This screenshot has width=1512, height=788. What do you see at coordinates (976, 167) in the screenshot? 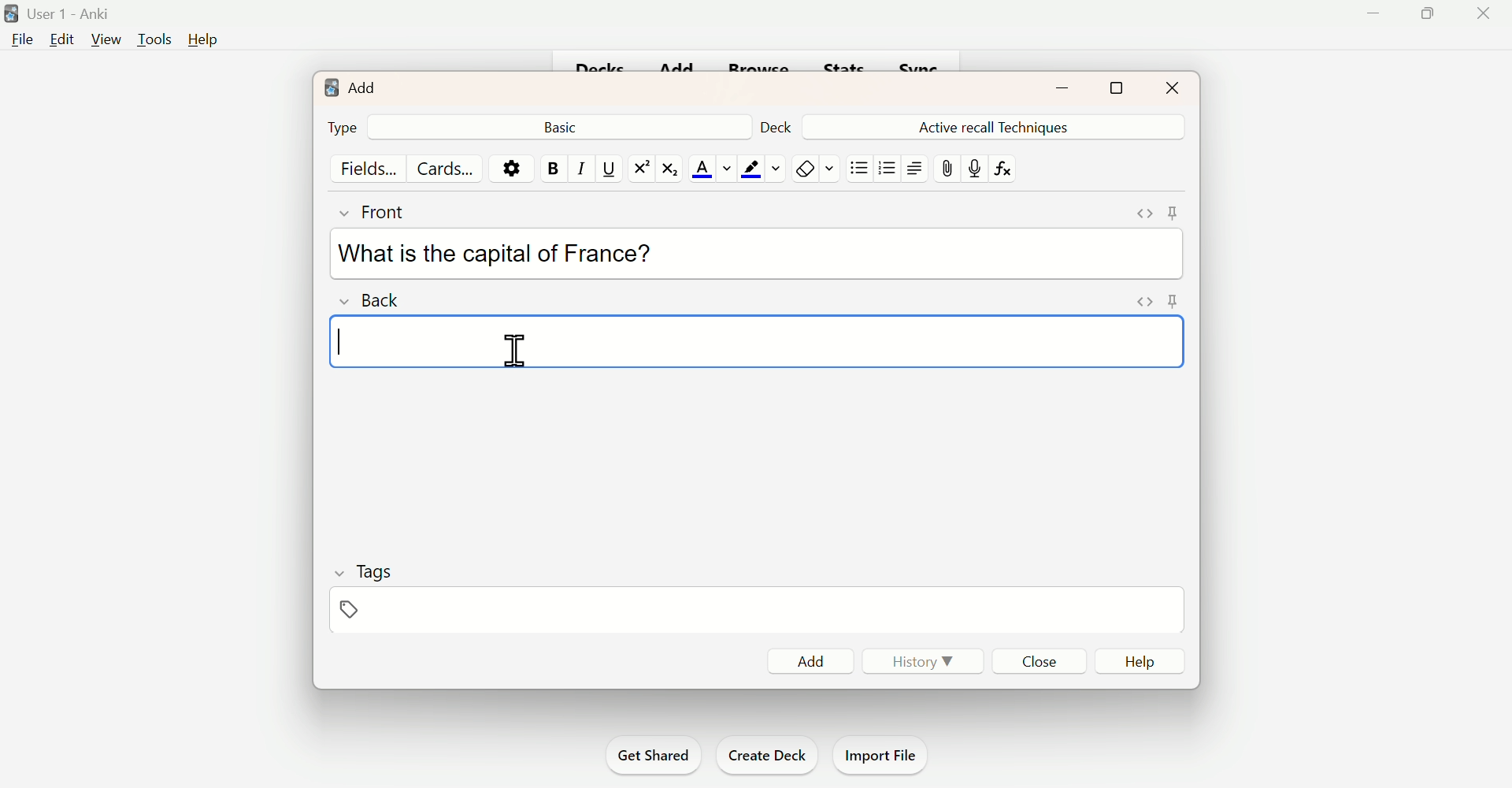
I see `Mic` at bounding box center [976, 167].